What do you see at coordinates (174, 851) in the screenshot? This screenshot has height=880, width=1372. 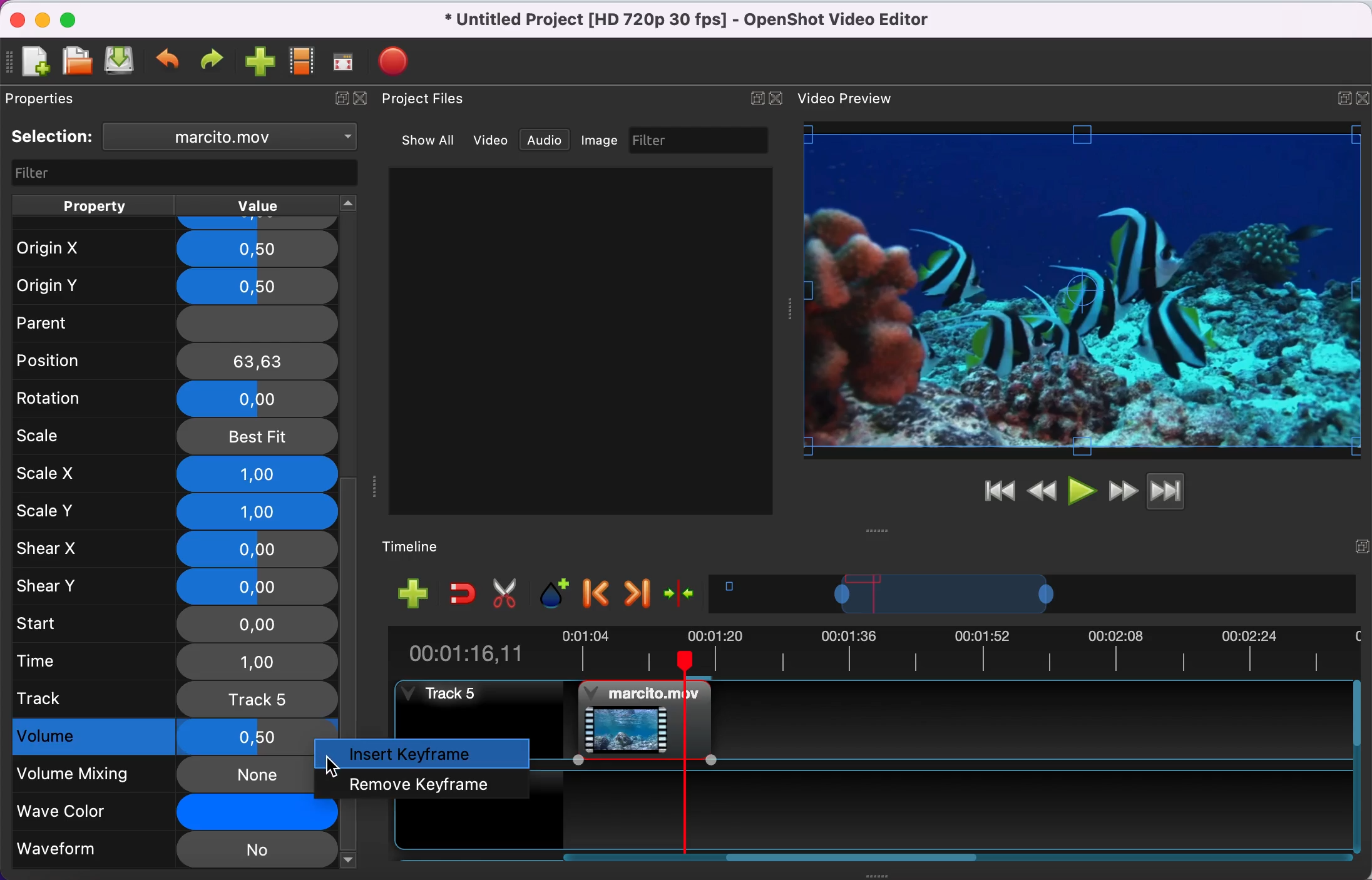 I see `waveform no` at bounding box center [174, 851].